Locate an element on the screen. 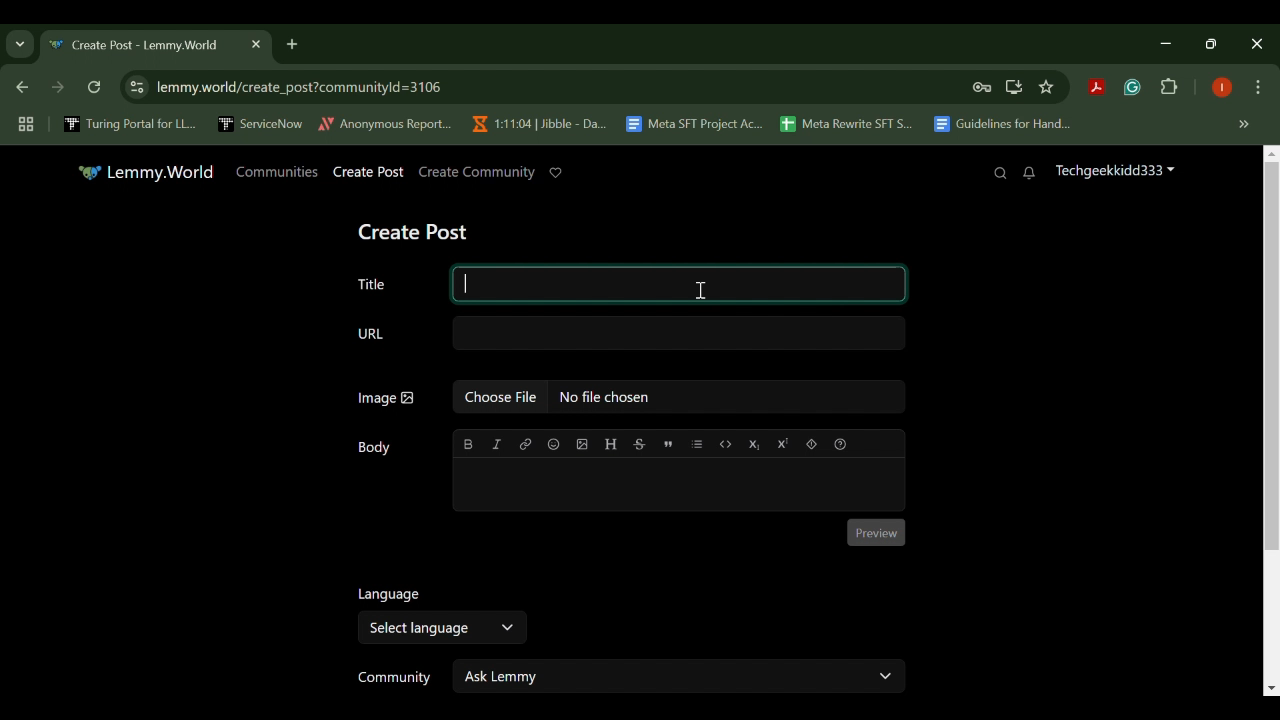  Lemmy.World is located at coordinates (146, 172).